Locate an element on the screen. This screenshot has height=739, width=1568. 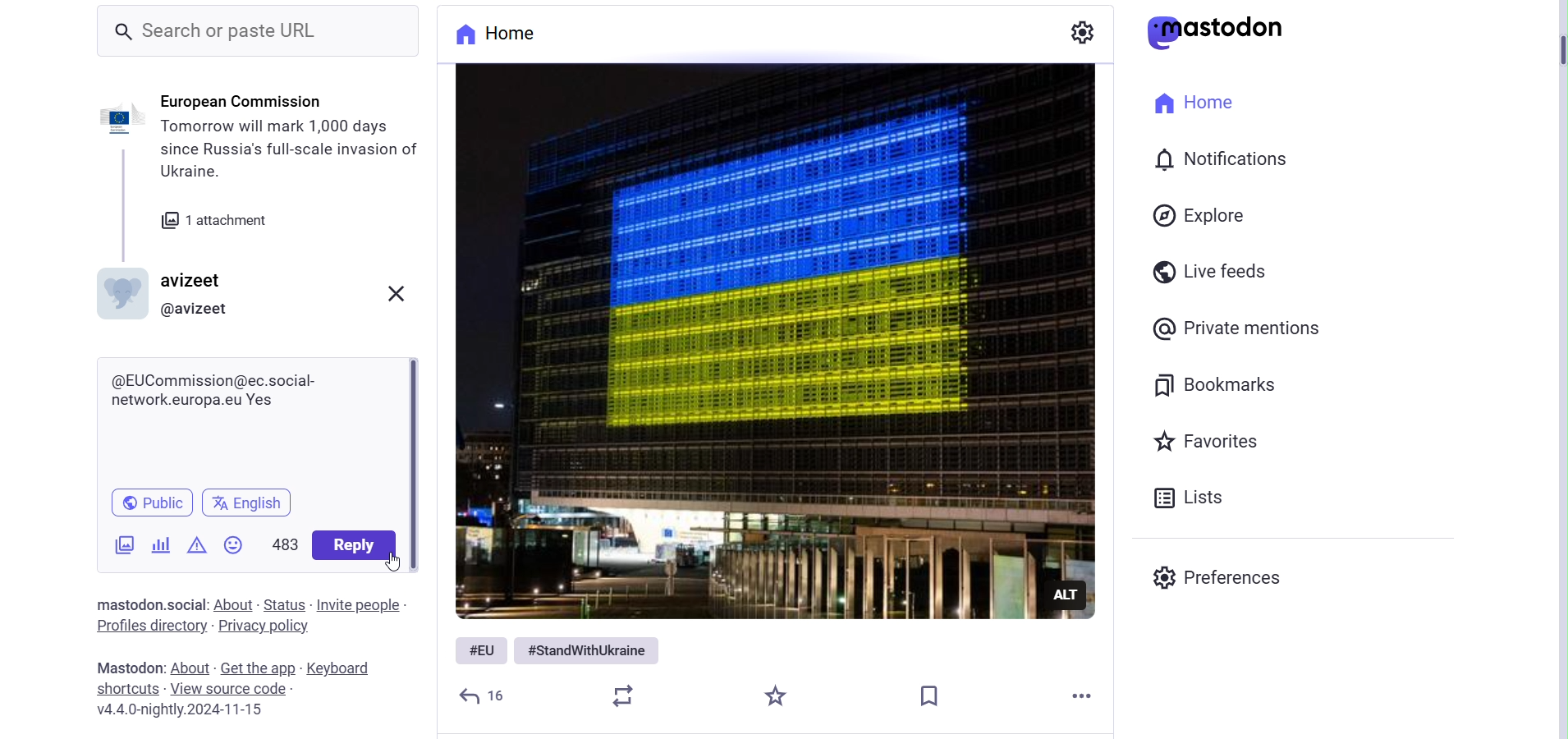
Boost is located at coordinates (629, 695).